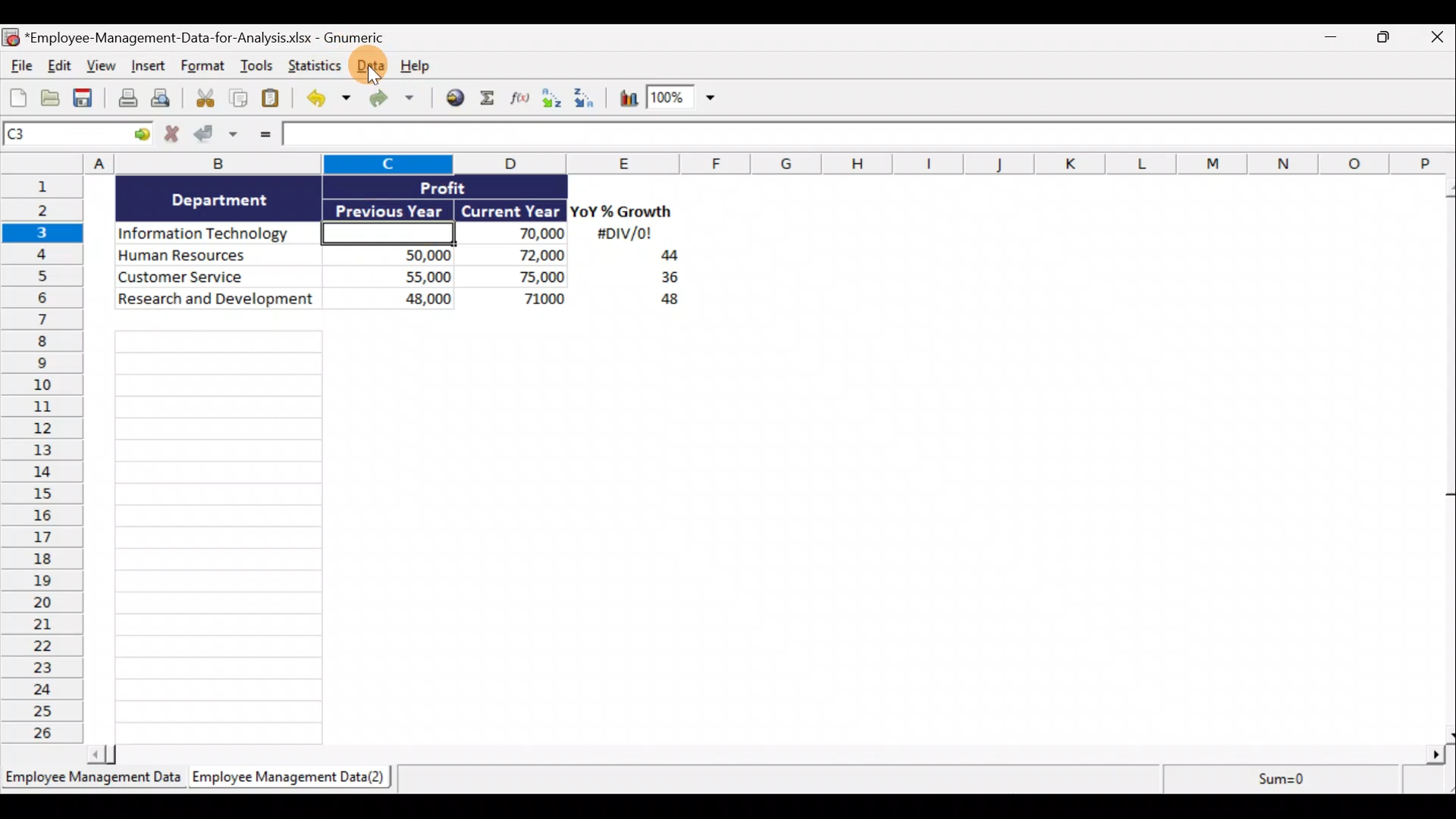  Describe the element at coordinates (375, 68) in the screenshot. I see `Cursor` at that location.